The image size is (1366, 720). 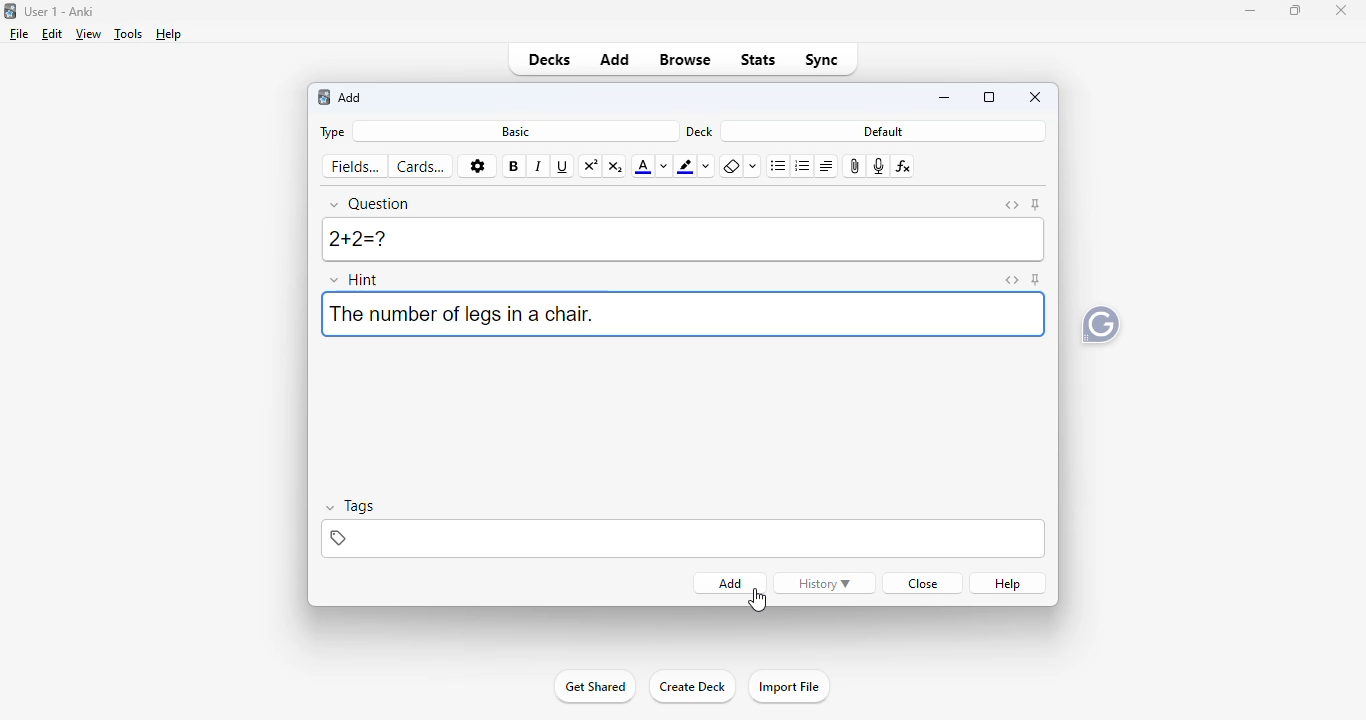 What do you see at coordinates (1250, 11) in the screenshot?
I see `minimize` at bounding box center [1250, 11].